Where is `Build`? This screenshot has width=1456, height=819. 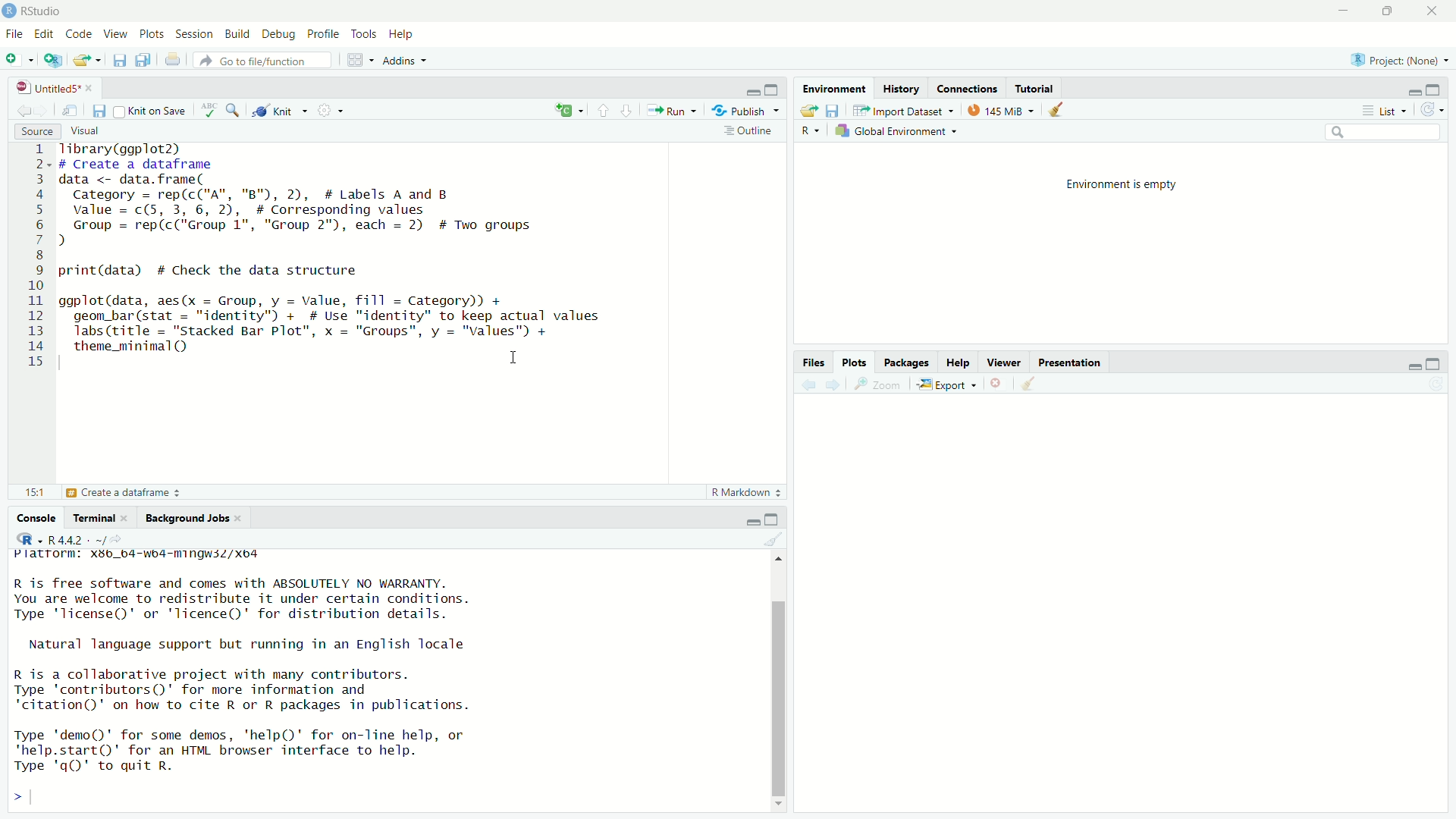 Build is located at coordinates (237, 33).